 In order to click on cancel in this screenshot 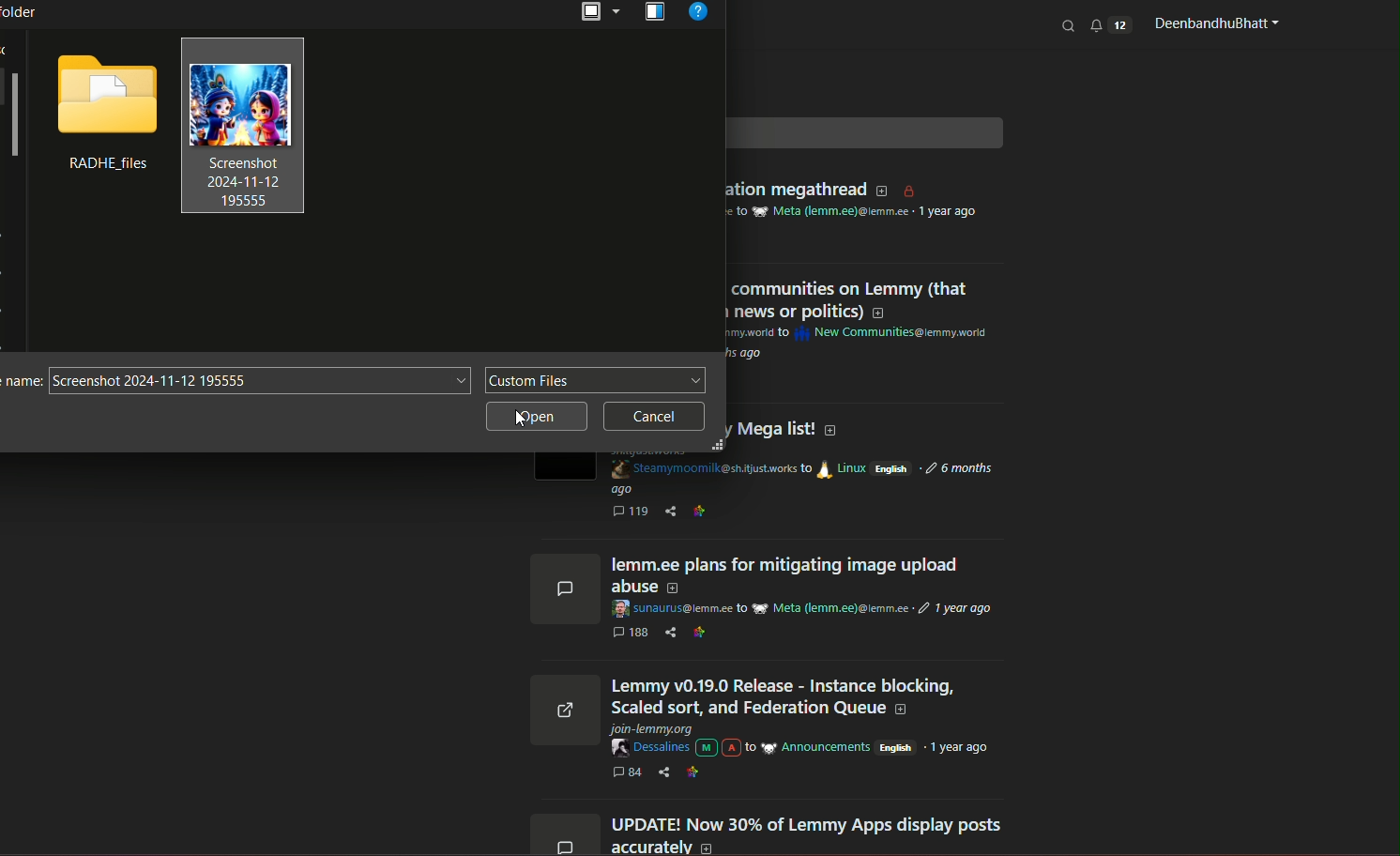, I will do `click(655, 417)`.